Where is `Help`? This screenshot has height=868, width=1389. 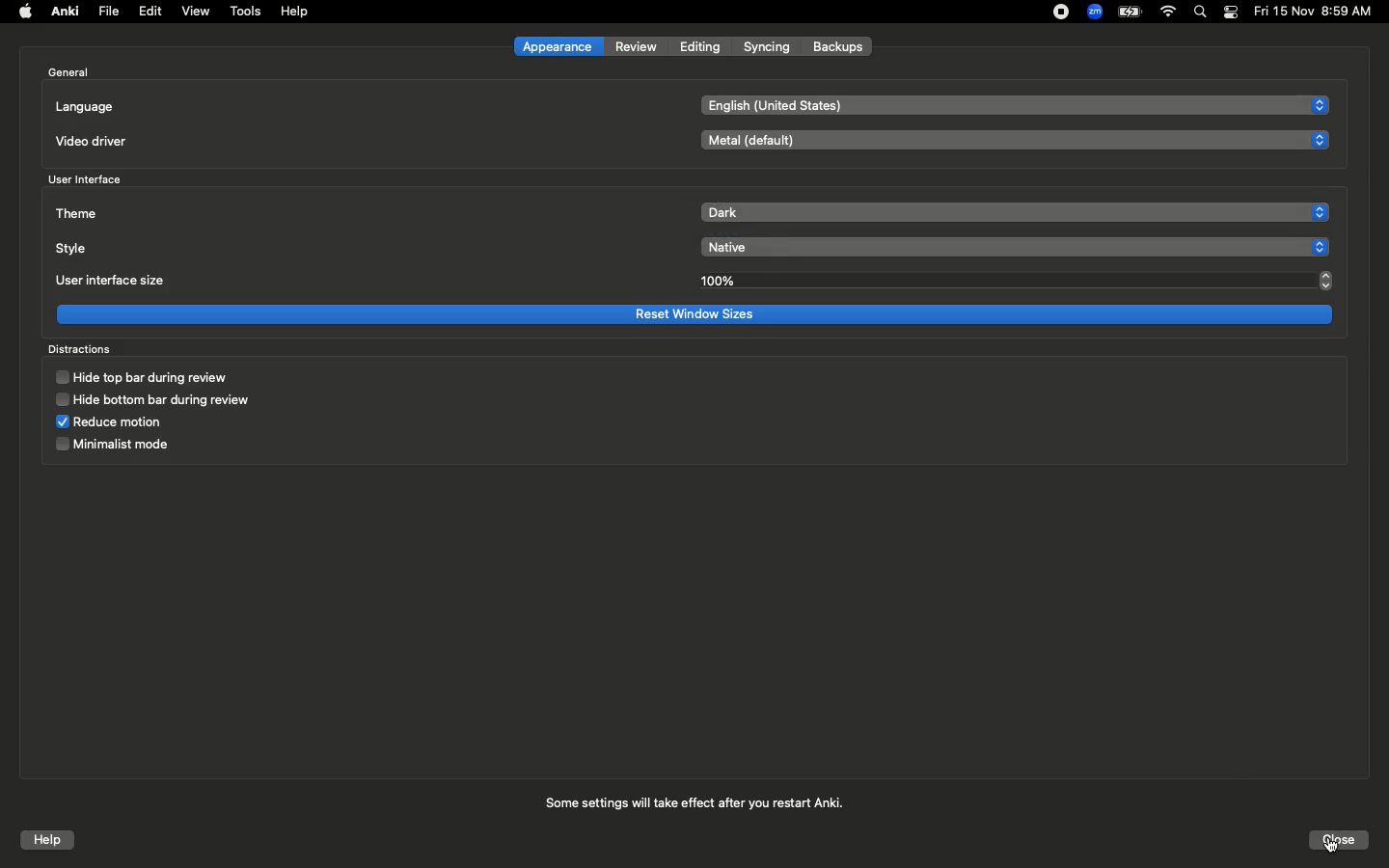 Help is located at coordinates (296, 12).